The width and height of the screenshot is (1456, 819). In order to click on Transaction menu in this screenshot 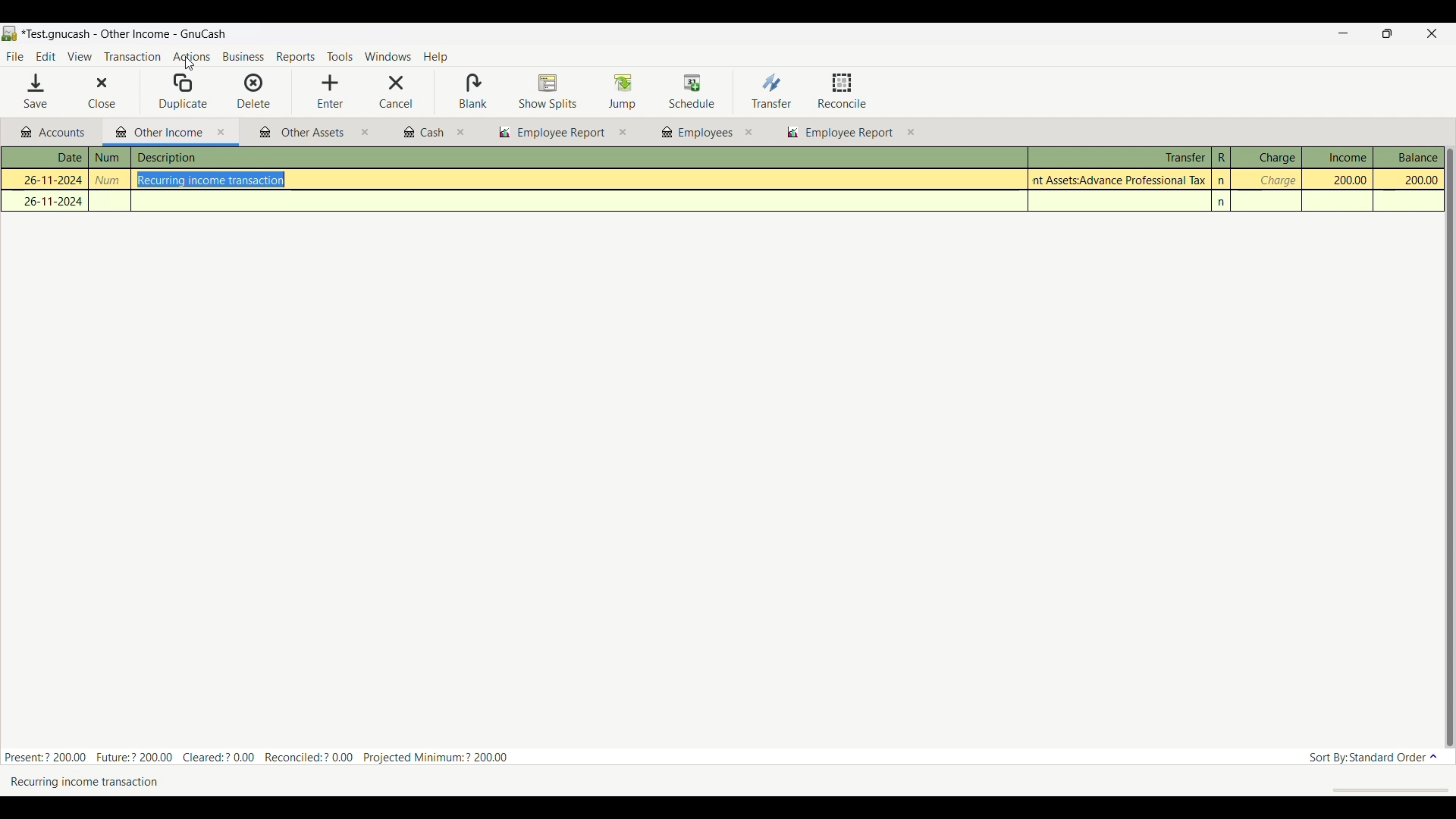, I will do `click(132, 57)`.